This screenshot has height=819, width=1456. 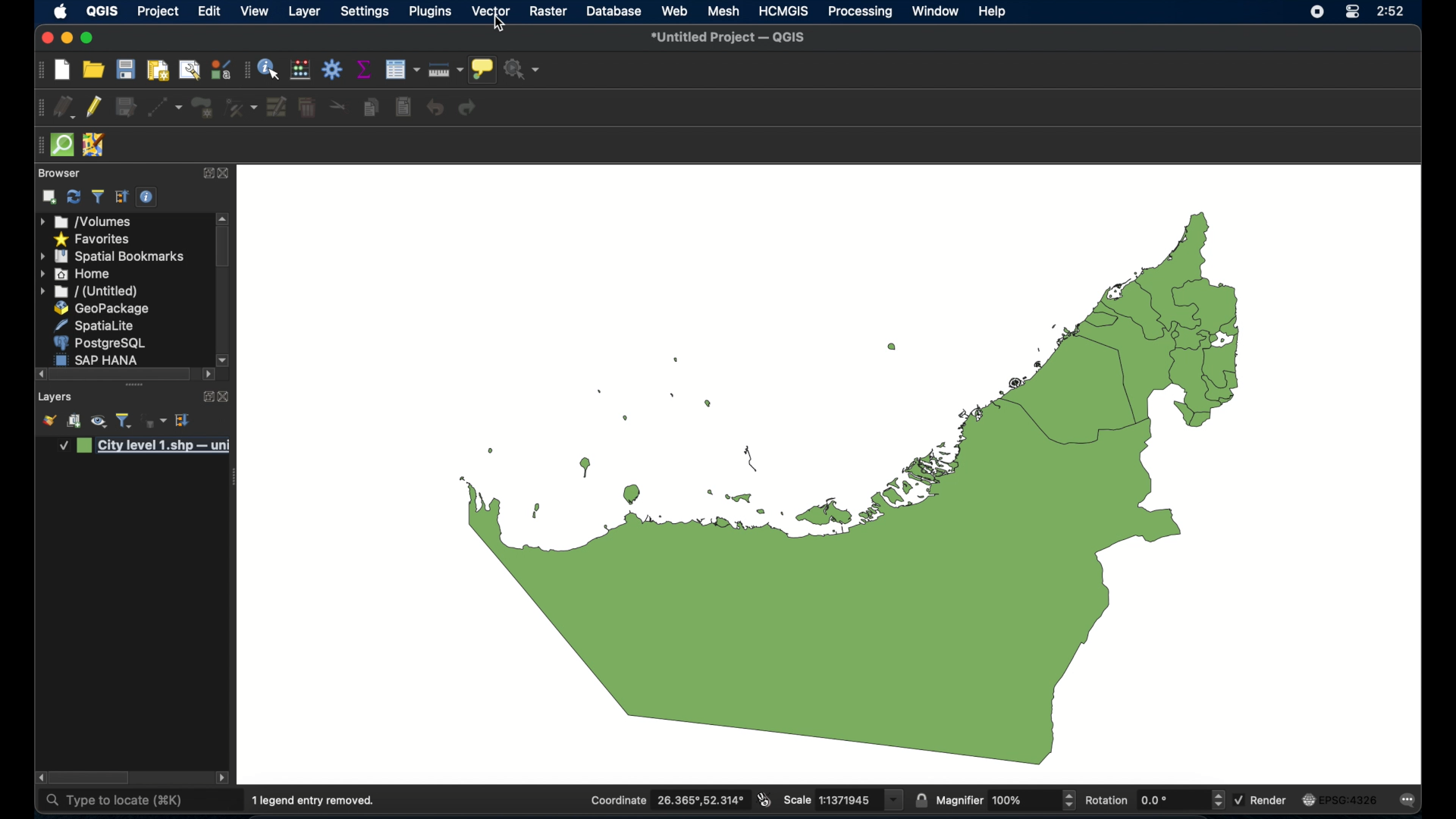 What do you see at coordinates (527, 70) in the screenshot?
I see `no action selected` at bounding box center [527, 70].